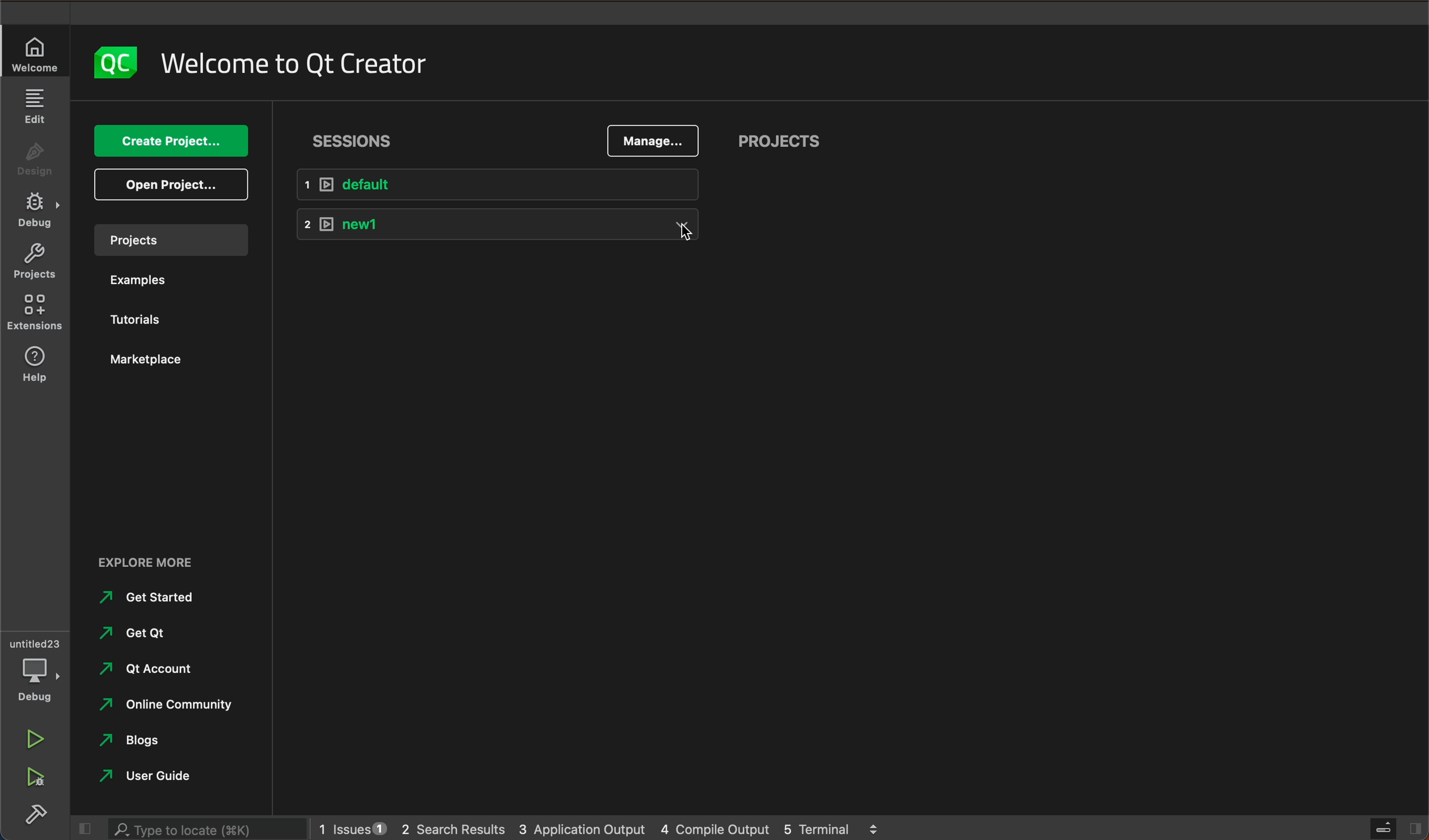 This screenshot has height=840, width=1429. I want to click on tutorials, so click(139, 318).